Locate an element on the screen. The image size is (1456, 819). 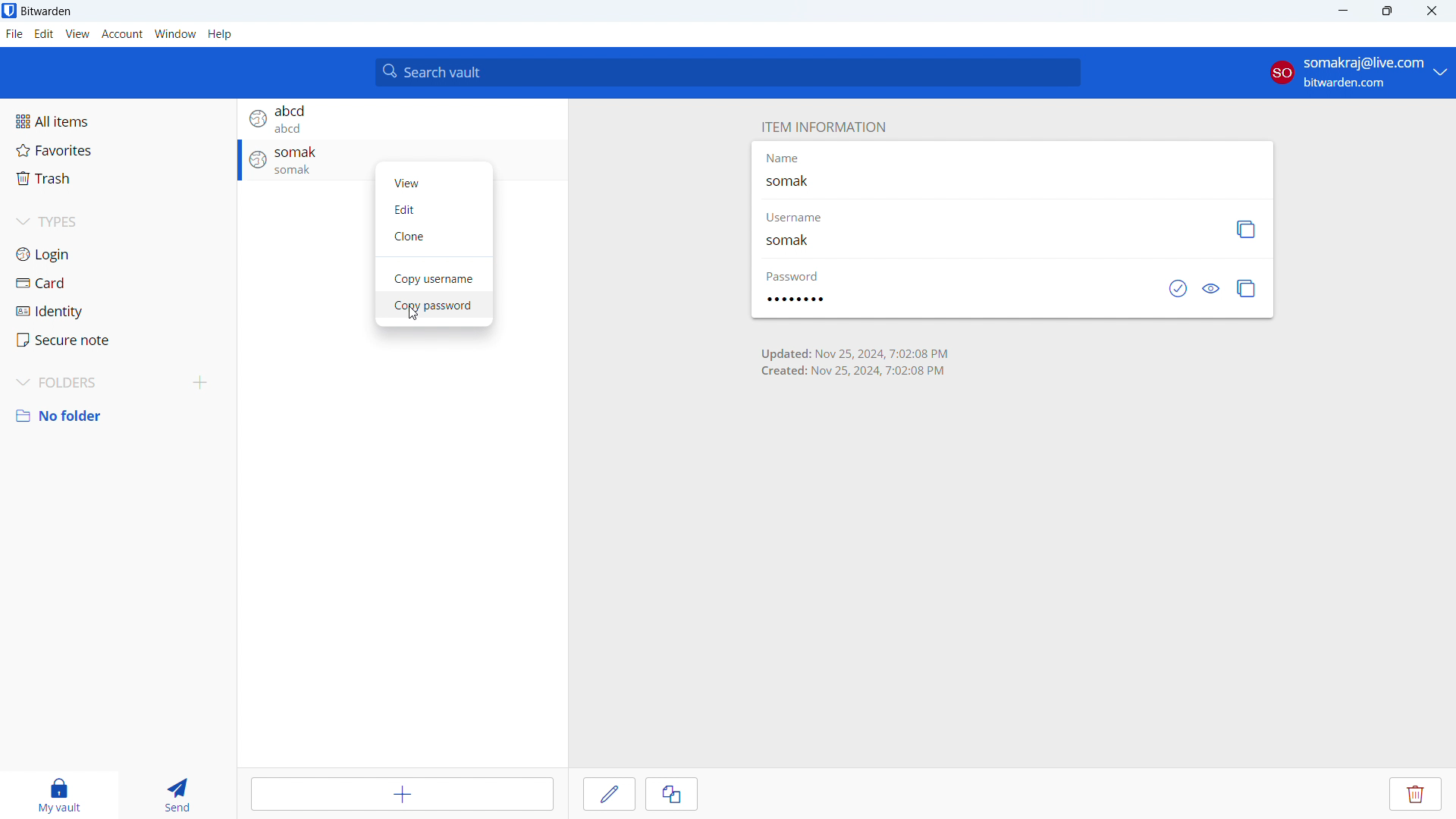
password label is located at coordinates (792, 276).